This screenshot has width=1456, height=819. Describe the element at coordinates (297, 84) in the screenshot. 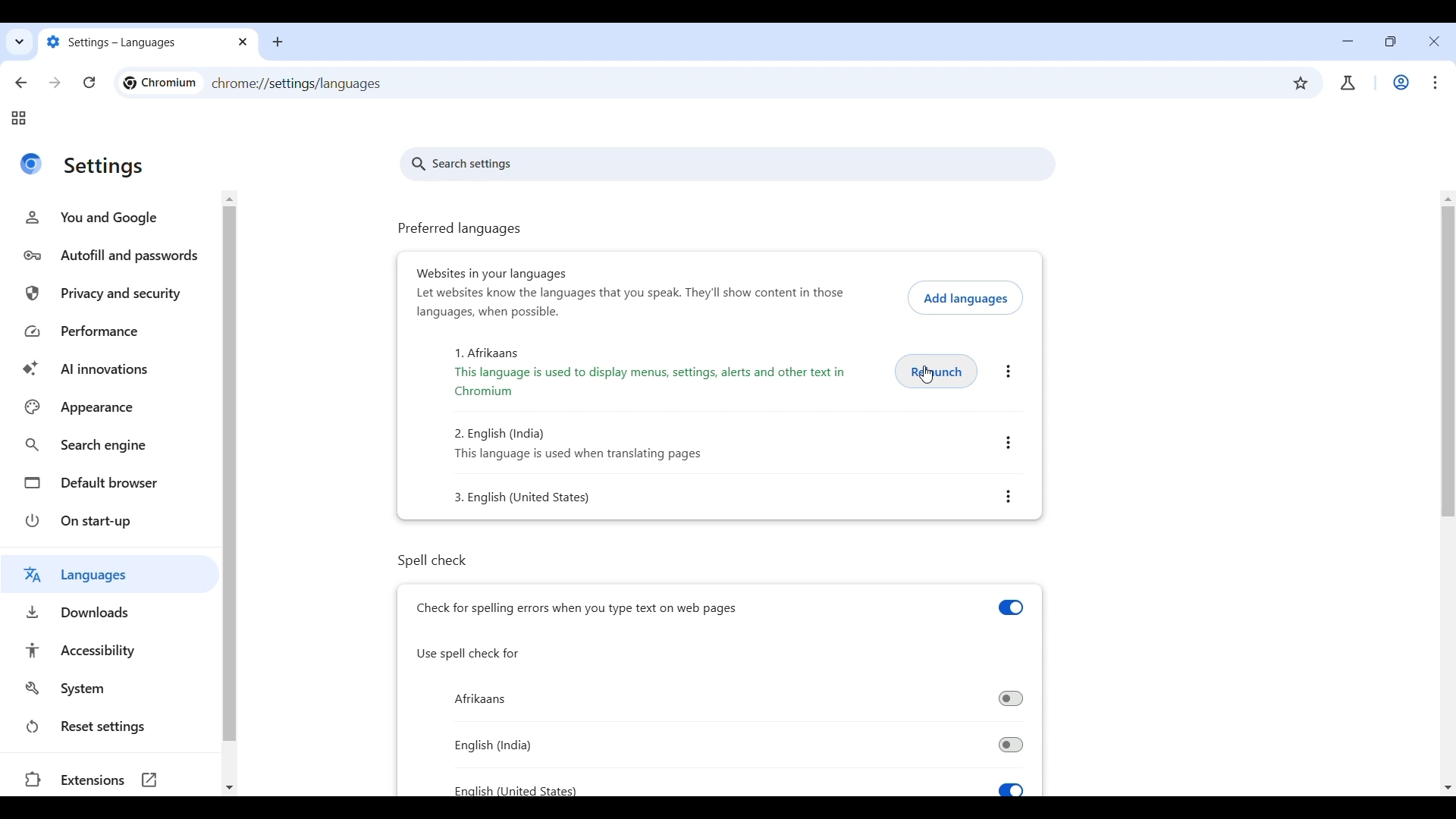

I see `Web link of page` at that location.